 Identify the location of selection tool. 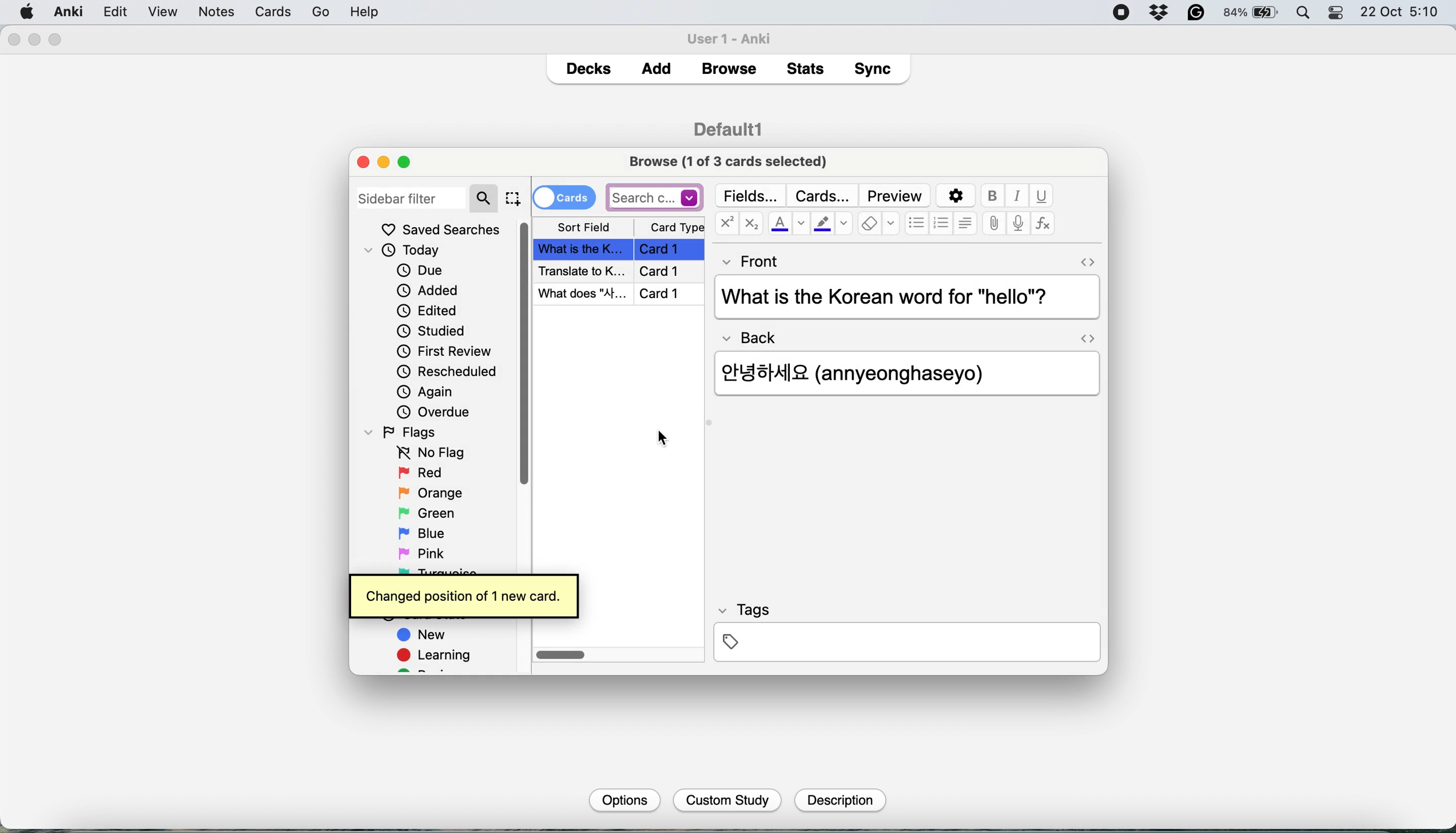
(512, 198).